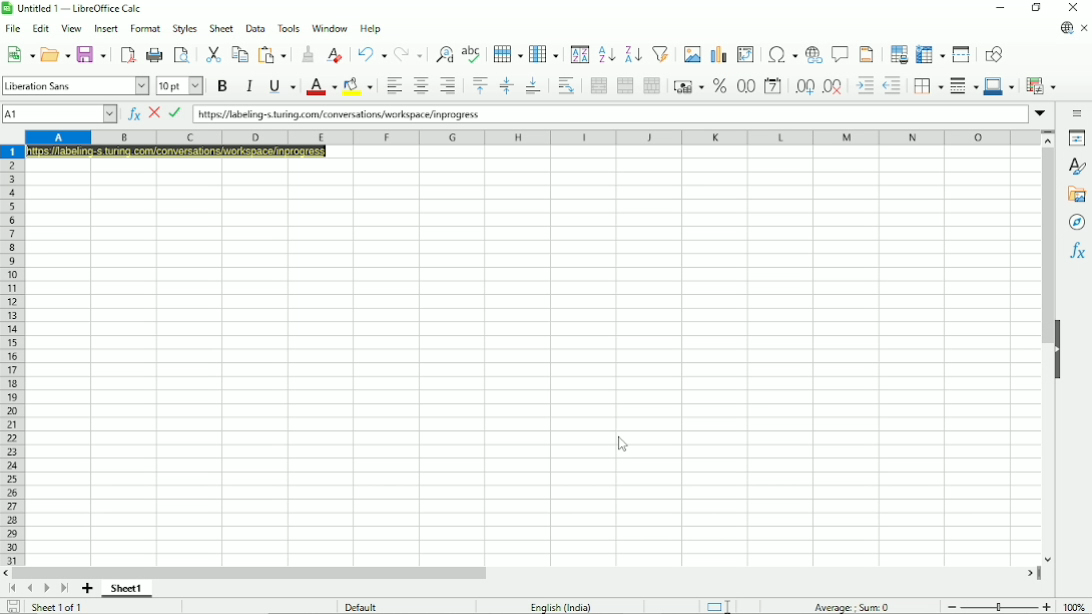 This screenshot has width=1092, height=614. What do you see at coordinates (1001, 8) in the screenshot?
I see `Minimize` at bounding box center [1001, 8].